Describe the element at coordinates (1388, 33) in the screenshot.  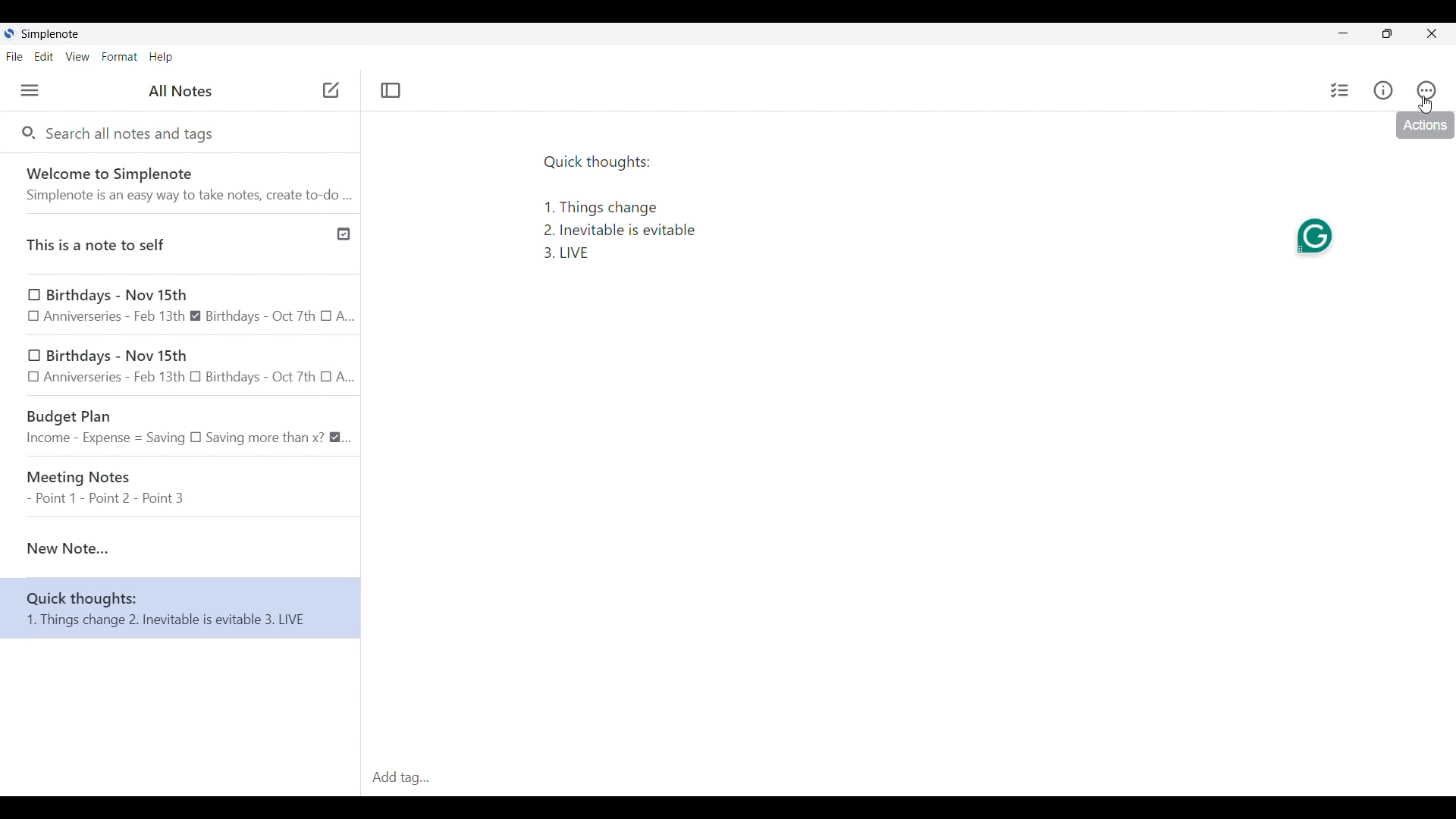
I see `Show interface in a smaller tab` at that location.